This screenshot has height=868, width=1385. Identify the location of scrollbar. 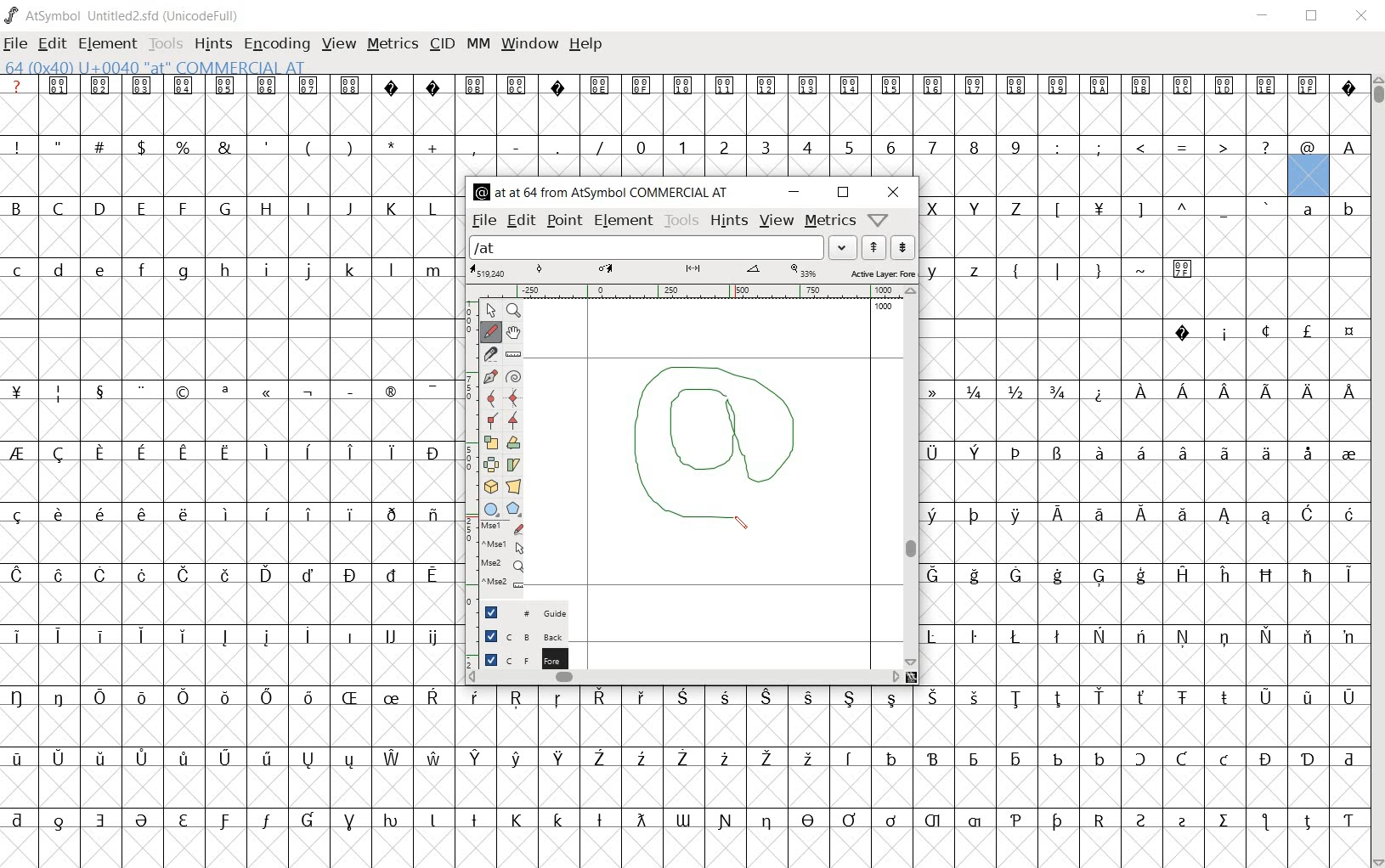
(684, 678).